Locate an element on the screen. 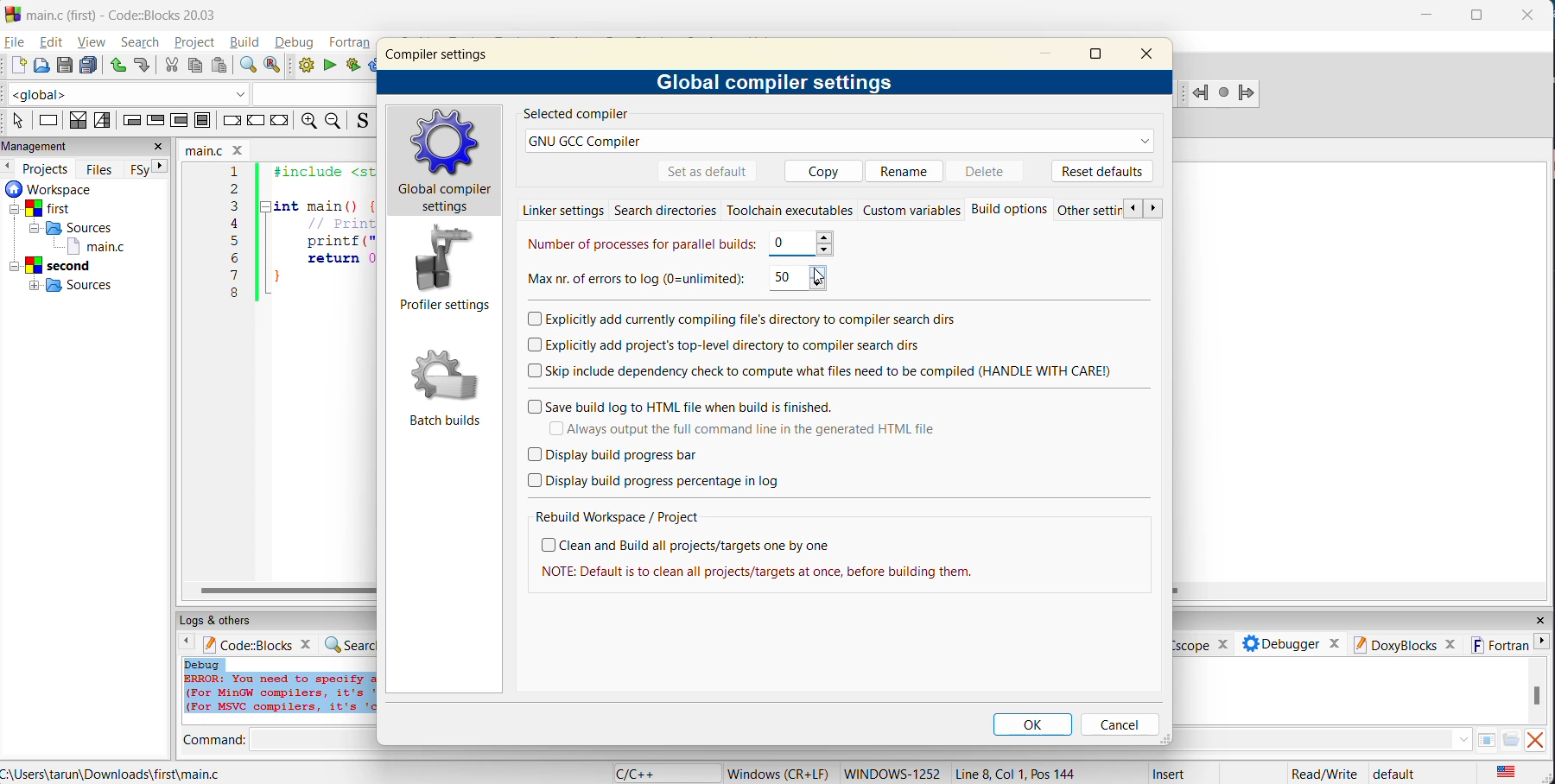 The width and height of the screenshot is (1555, 784). ok is located at coordinates (1033, 724).